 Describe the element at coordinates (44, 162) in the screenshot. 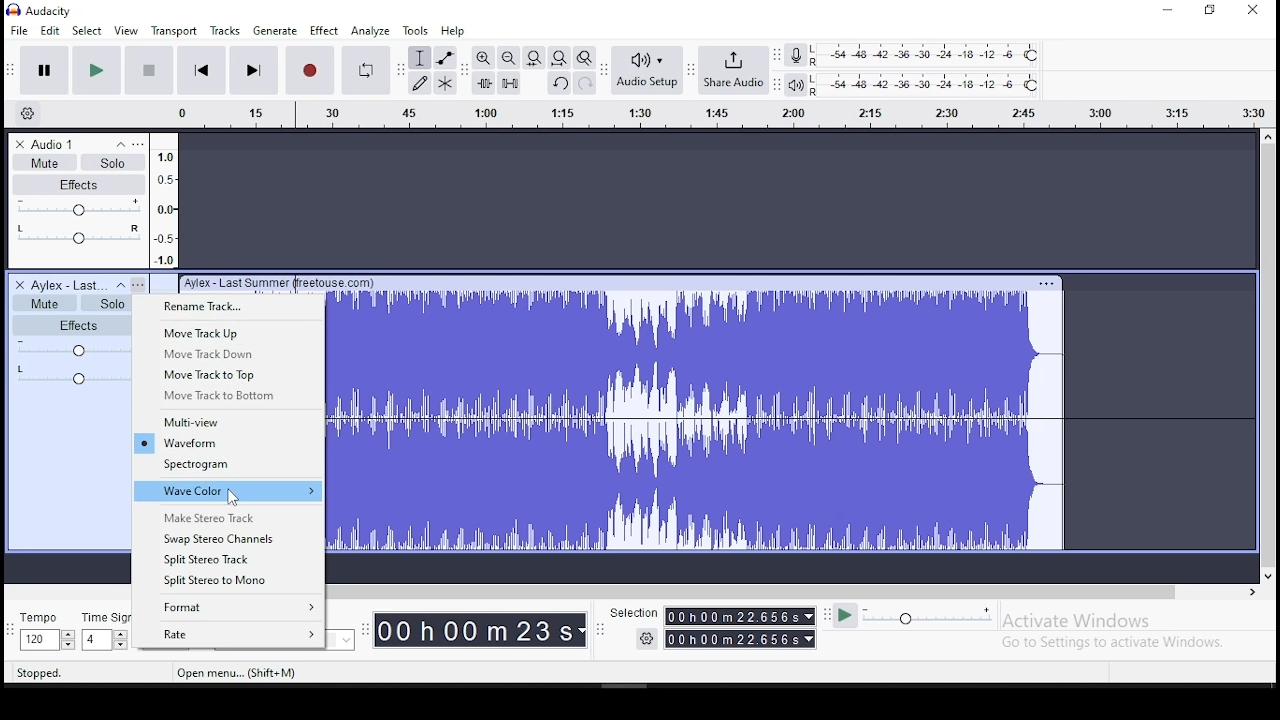

I see `mute` at that location.